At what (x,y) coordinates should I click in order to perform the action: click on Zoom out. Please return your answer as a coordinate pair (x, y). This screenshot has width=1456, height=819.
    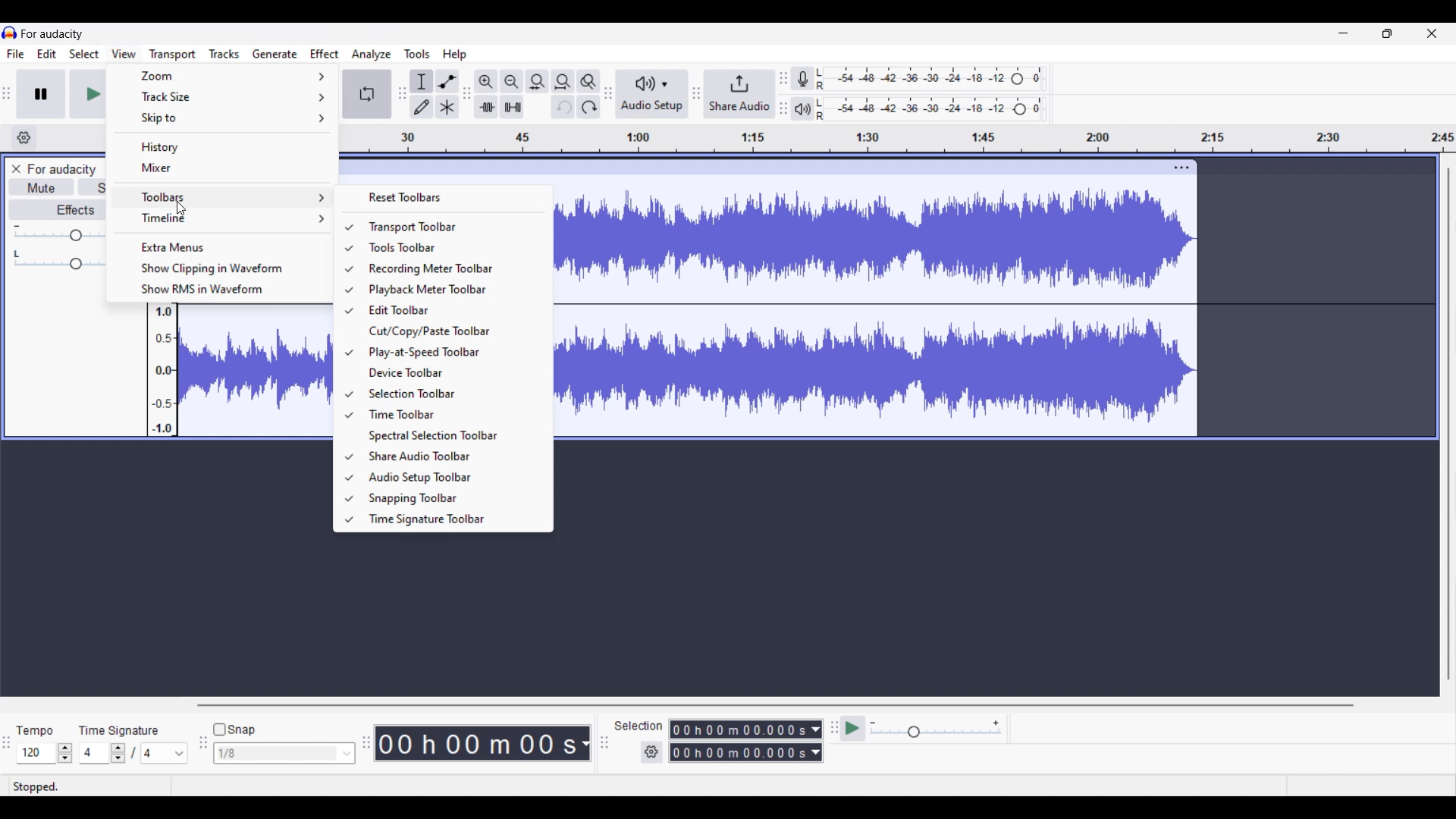
    Looking at the image, I should click on (511, 82).